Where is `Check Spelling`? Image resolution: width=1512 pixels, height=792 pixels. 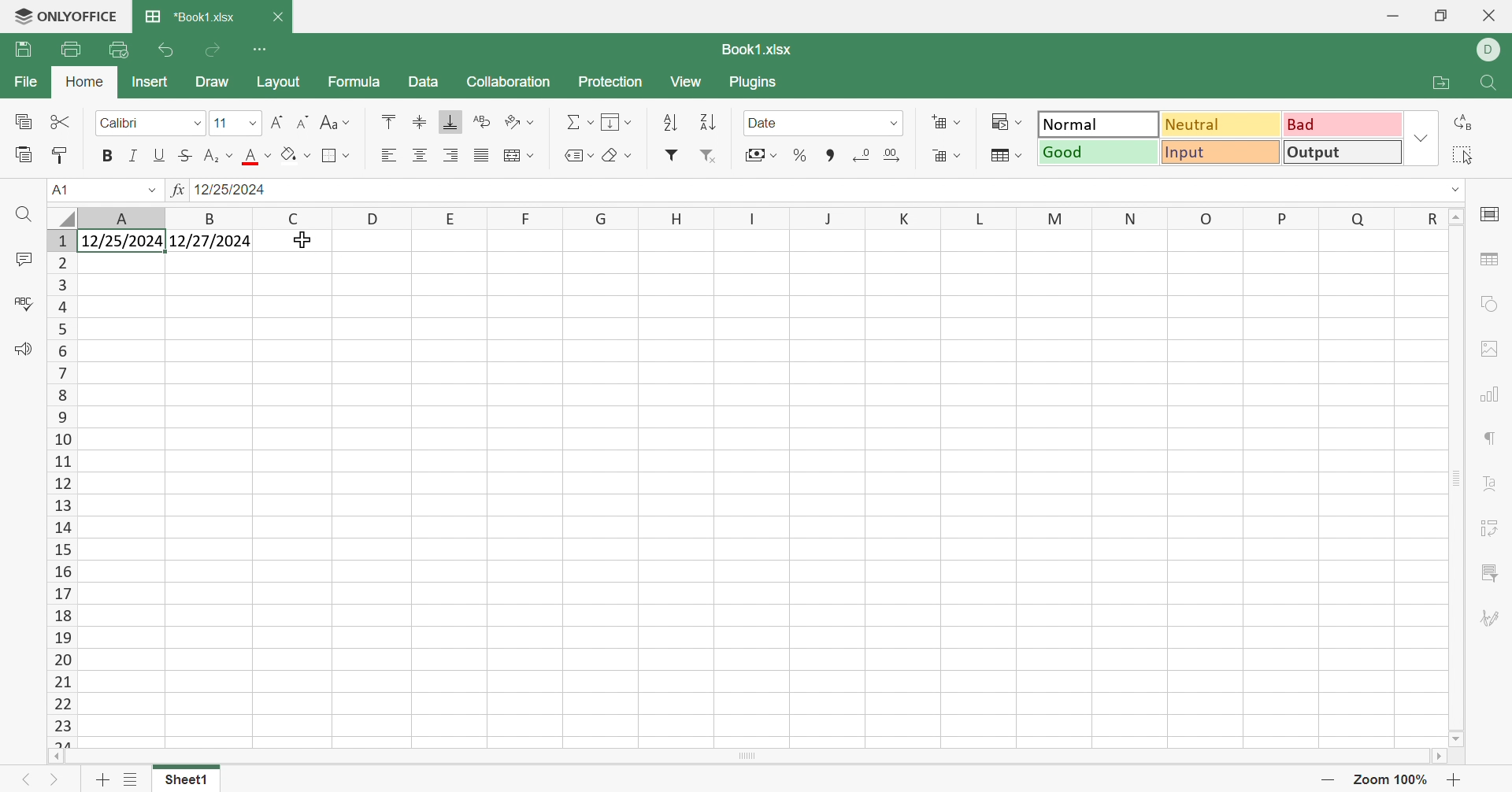
Check Spelling is located at coordinates (23, 305).